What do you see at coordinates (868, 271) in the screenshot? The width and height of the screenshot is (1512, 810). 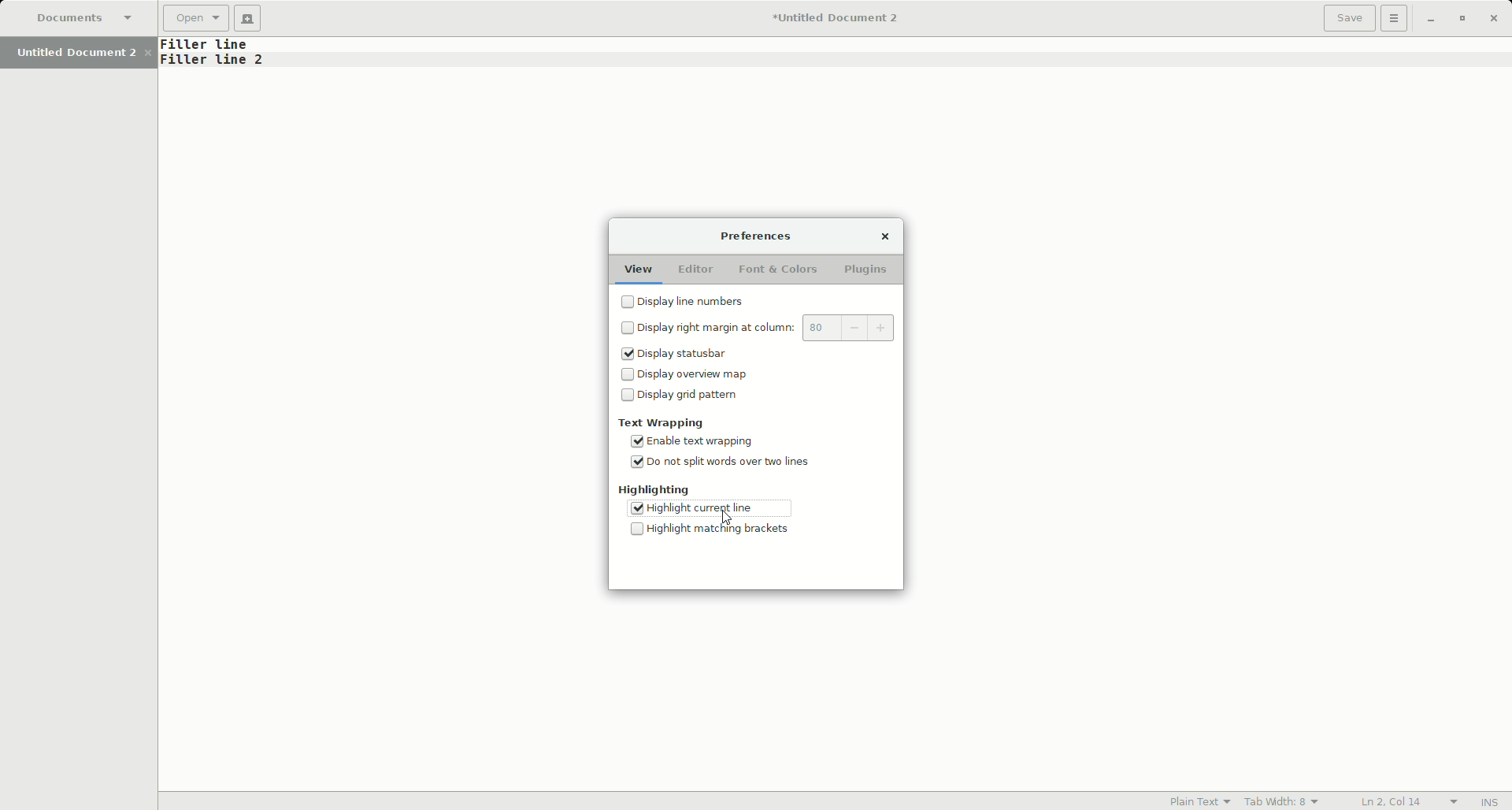 I see `Plugins` at bounding box center [868, 271].